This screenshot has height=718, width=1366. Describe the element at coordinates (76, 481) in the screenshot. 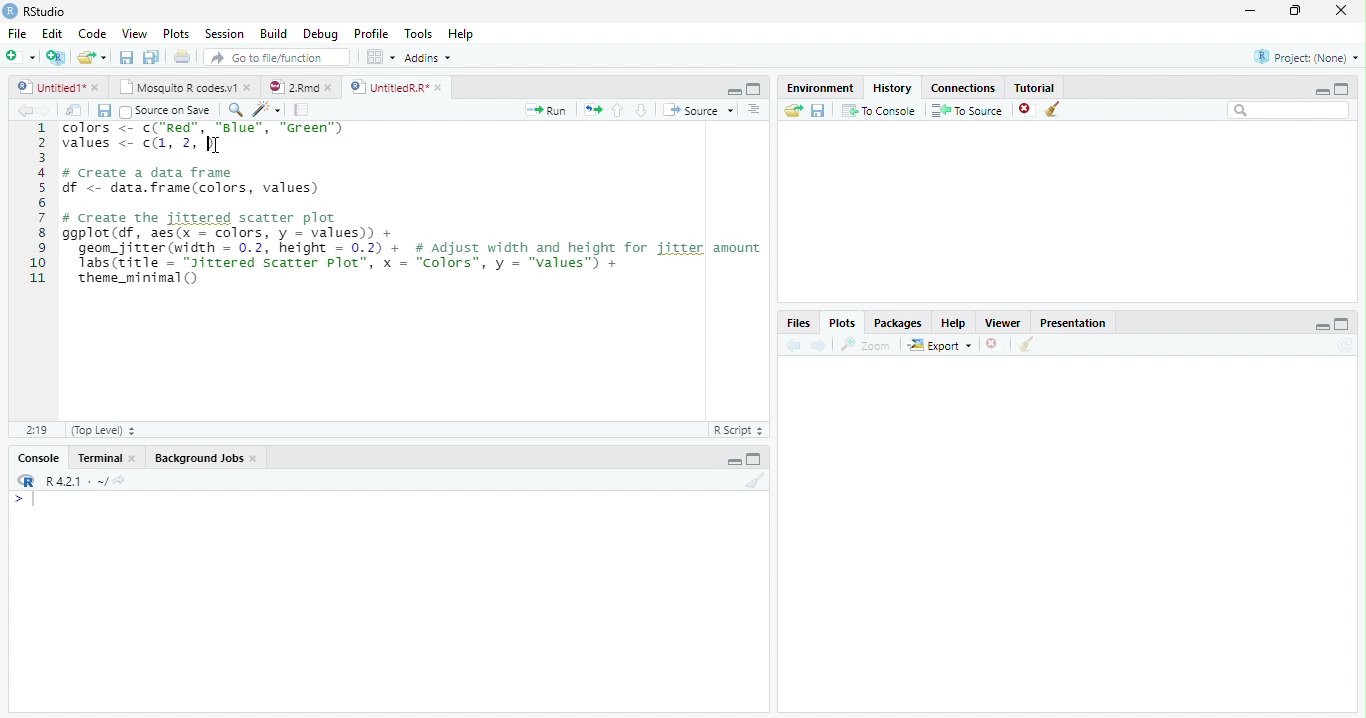

I see `R 4.2.1 . ~/` at that location.